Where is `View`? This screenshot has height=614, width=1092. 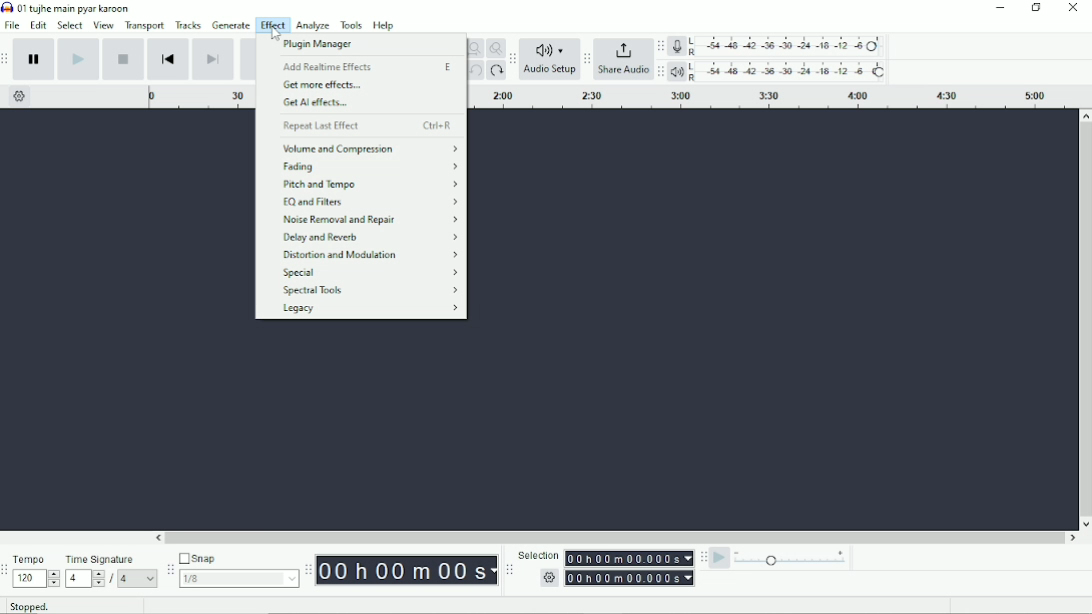 View is located at coordinates (104, 26).